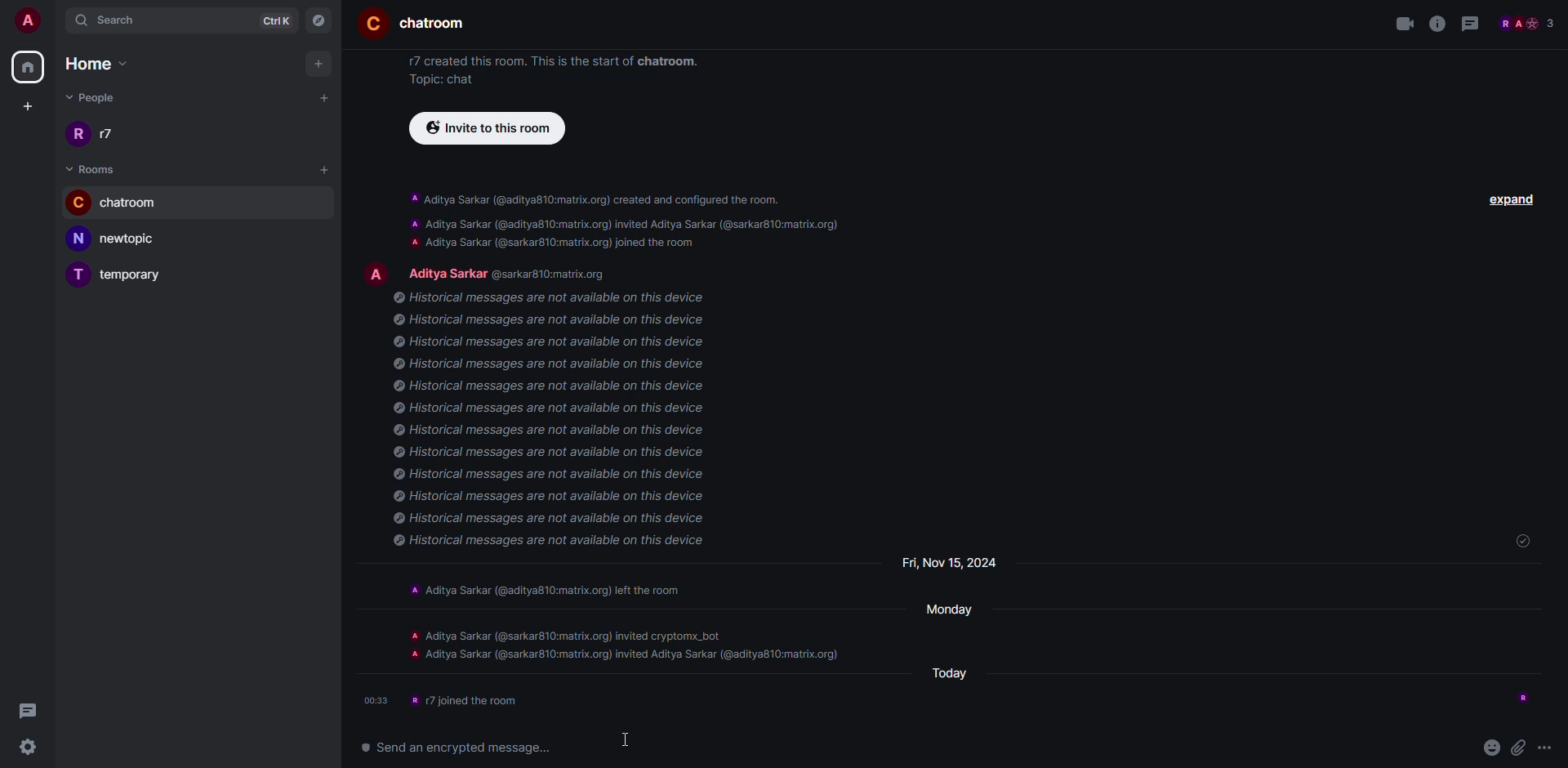  I want to click on A Aditya Sarkar (@aditya810:matrix.org) created and configured the room.
A Aditya Sarkar (@aditya810:matrix.org) invited Aditya Sarkar (@sarkar810:matrix.org)
A Aditya Sarkar (@sarkar810:matrix.org) joined the room, so click(622, 219).